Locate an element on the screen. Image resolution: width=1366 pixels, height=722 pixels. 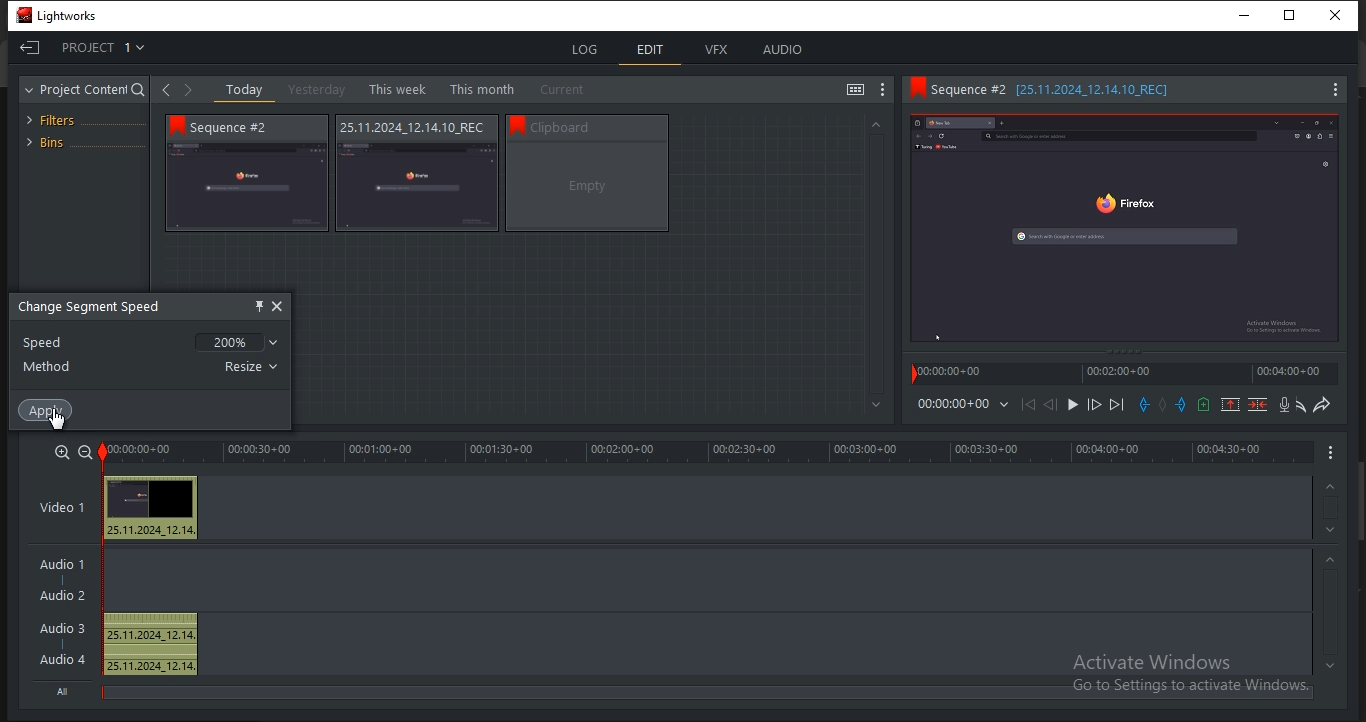
Sequence information is located at coordinates (411, 128).